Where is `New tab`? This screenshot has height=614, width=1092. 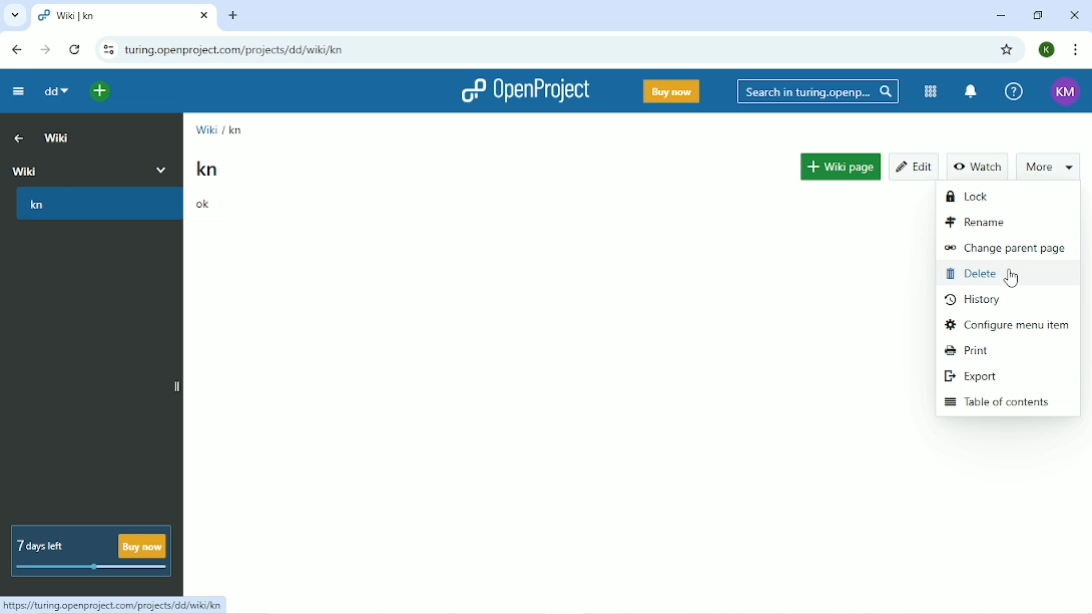
New tab is located at coordinates (233, 15).